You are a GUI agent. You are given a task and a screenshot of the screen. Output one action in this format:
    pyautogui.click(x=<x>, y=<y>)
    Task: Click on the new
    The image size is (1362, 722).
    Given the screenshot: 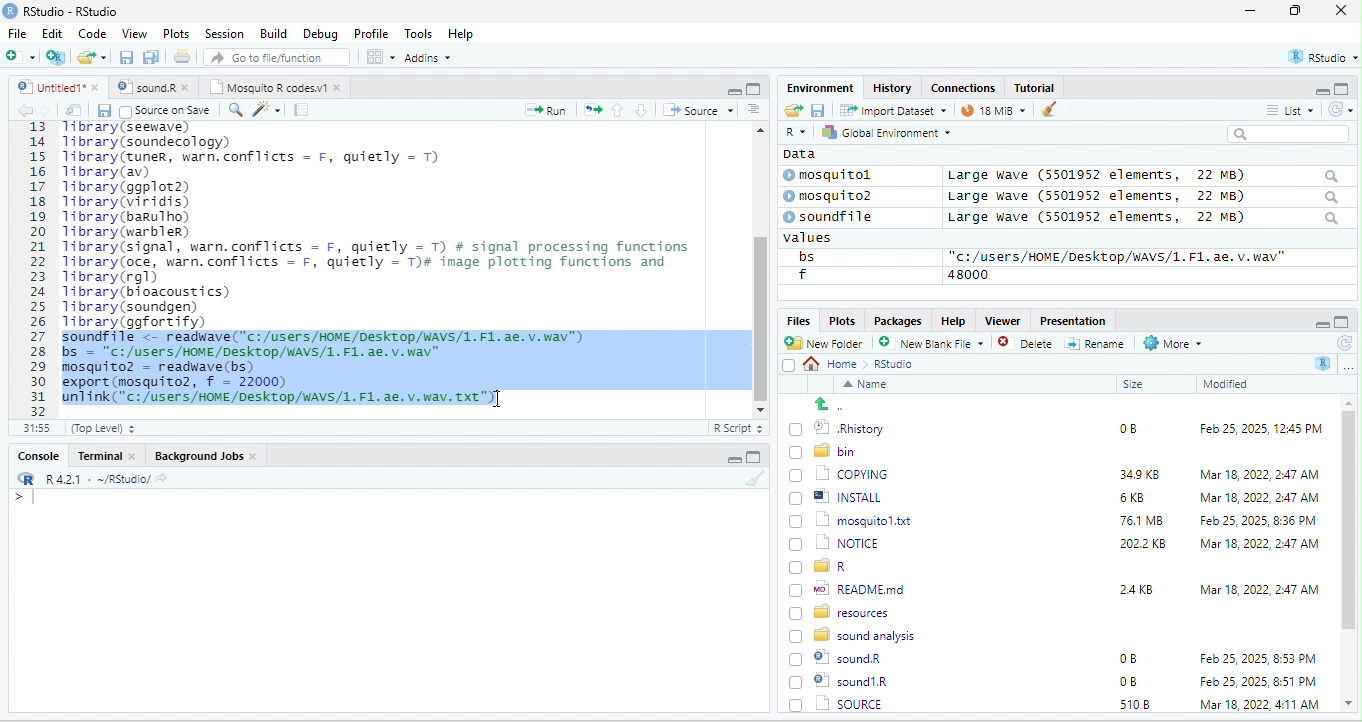 What is the action you would take?
    pyautogui.click(x=20, y=55)
    